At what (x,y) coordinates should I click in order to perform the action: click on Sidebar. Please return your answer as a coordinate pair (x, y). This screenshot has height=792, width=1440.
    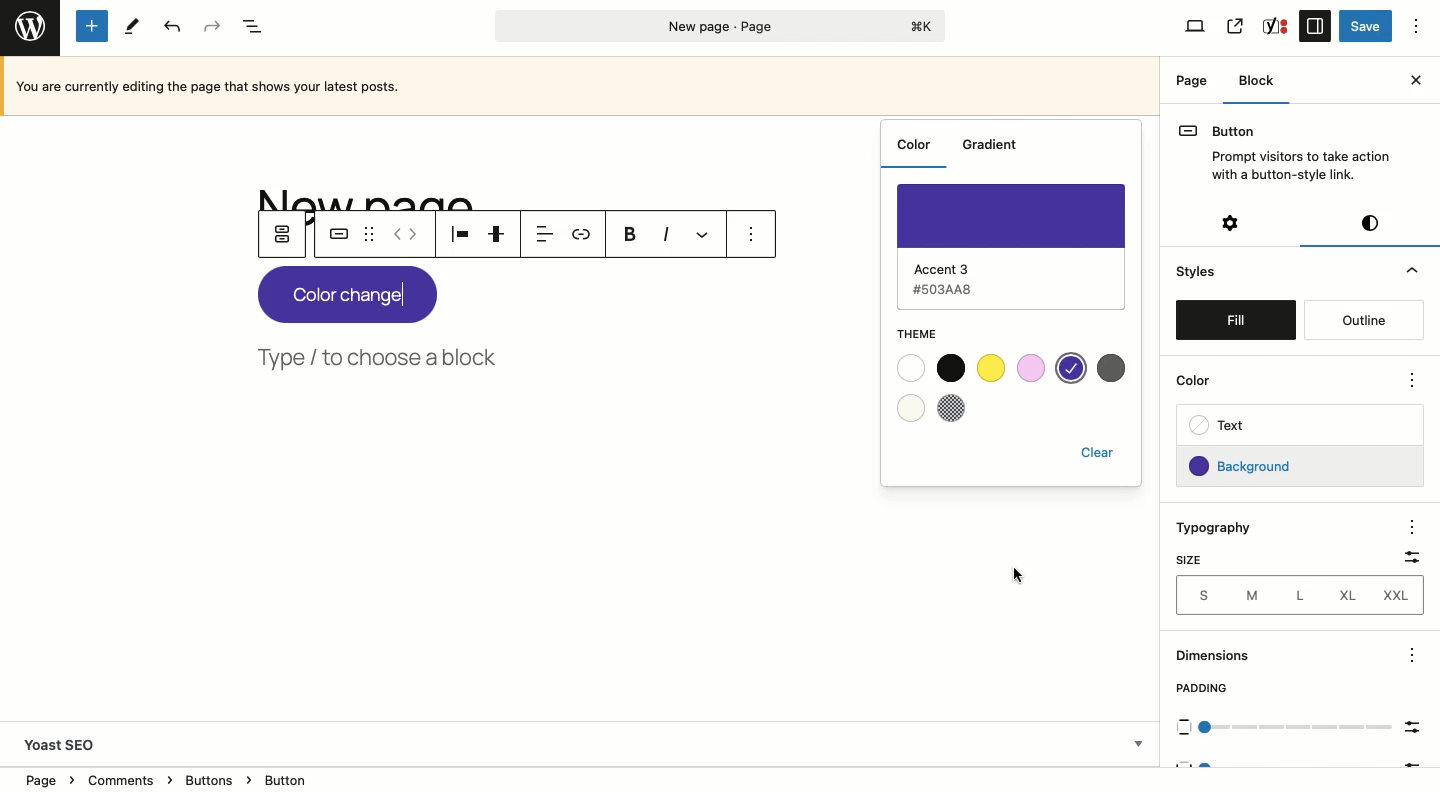
    Looking at the image, I should click on (1316, 25).